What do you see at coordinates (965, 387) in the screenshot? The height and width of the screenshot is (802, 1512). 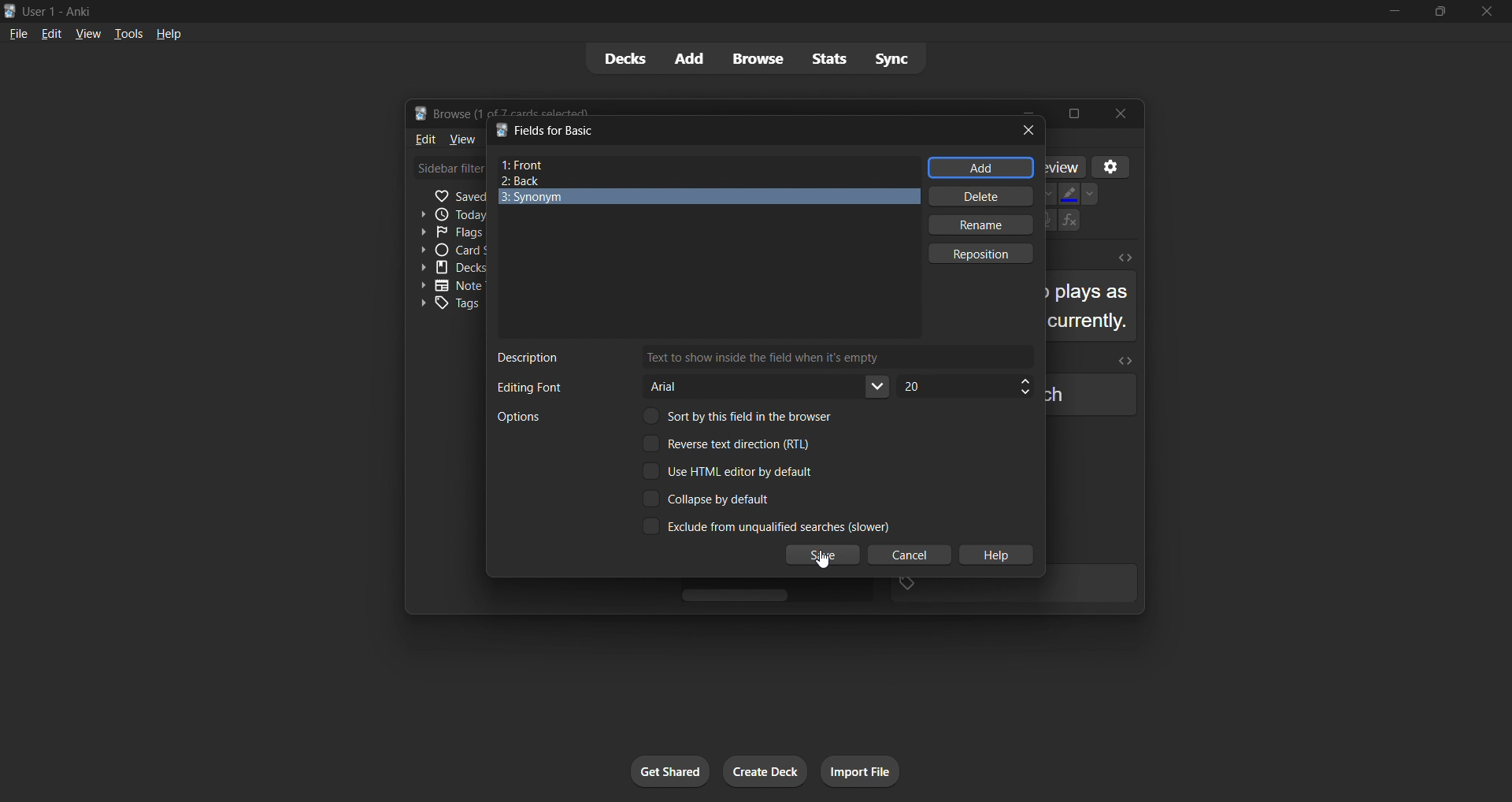 I see `field font size` at bounding box center [965, 387].